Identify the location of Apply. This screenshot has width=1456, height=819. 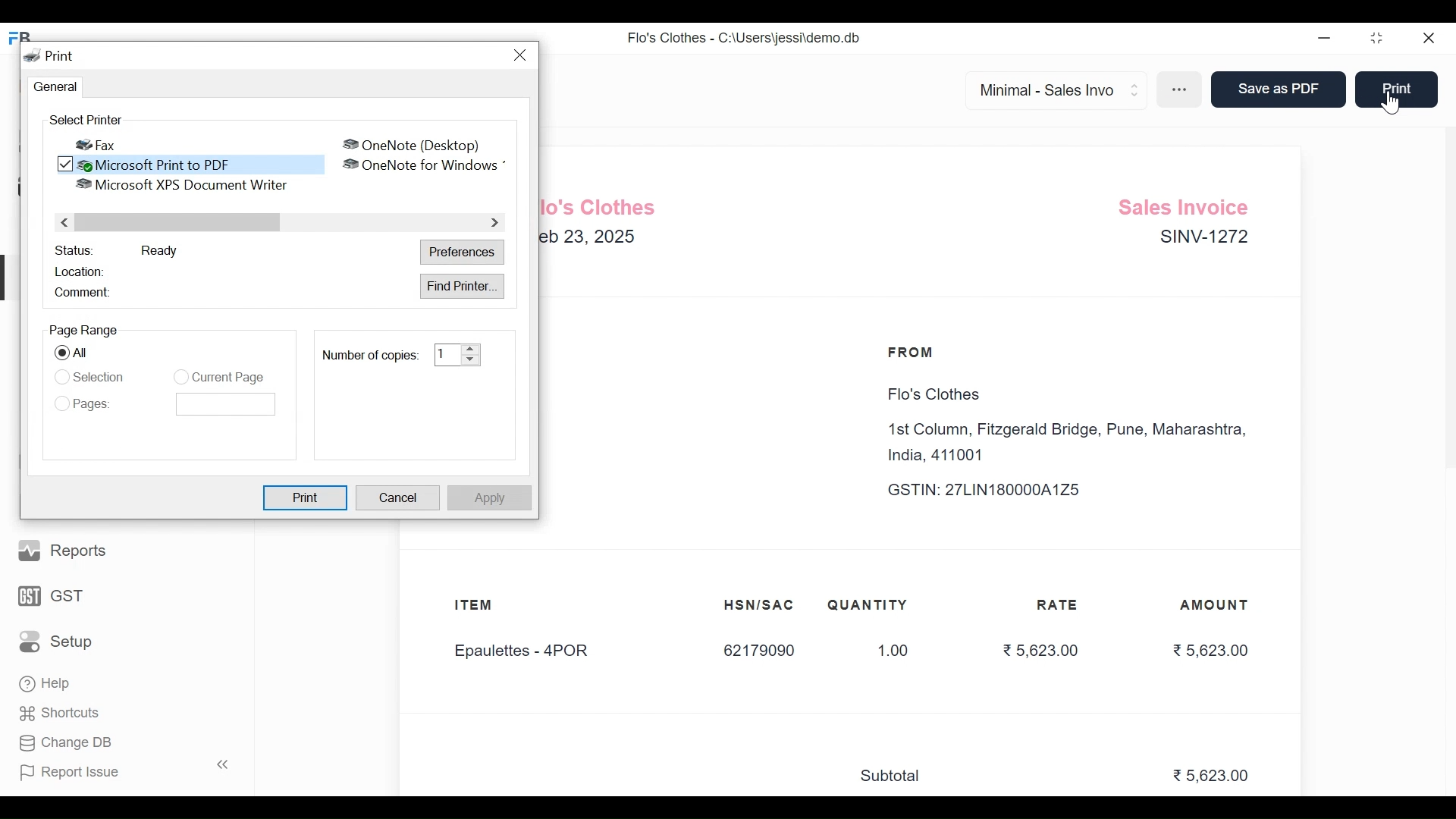
(488, 497).